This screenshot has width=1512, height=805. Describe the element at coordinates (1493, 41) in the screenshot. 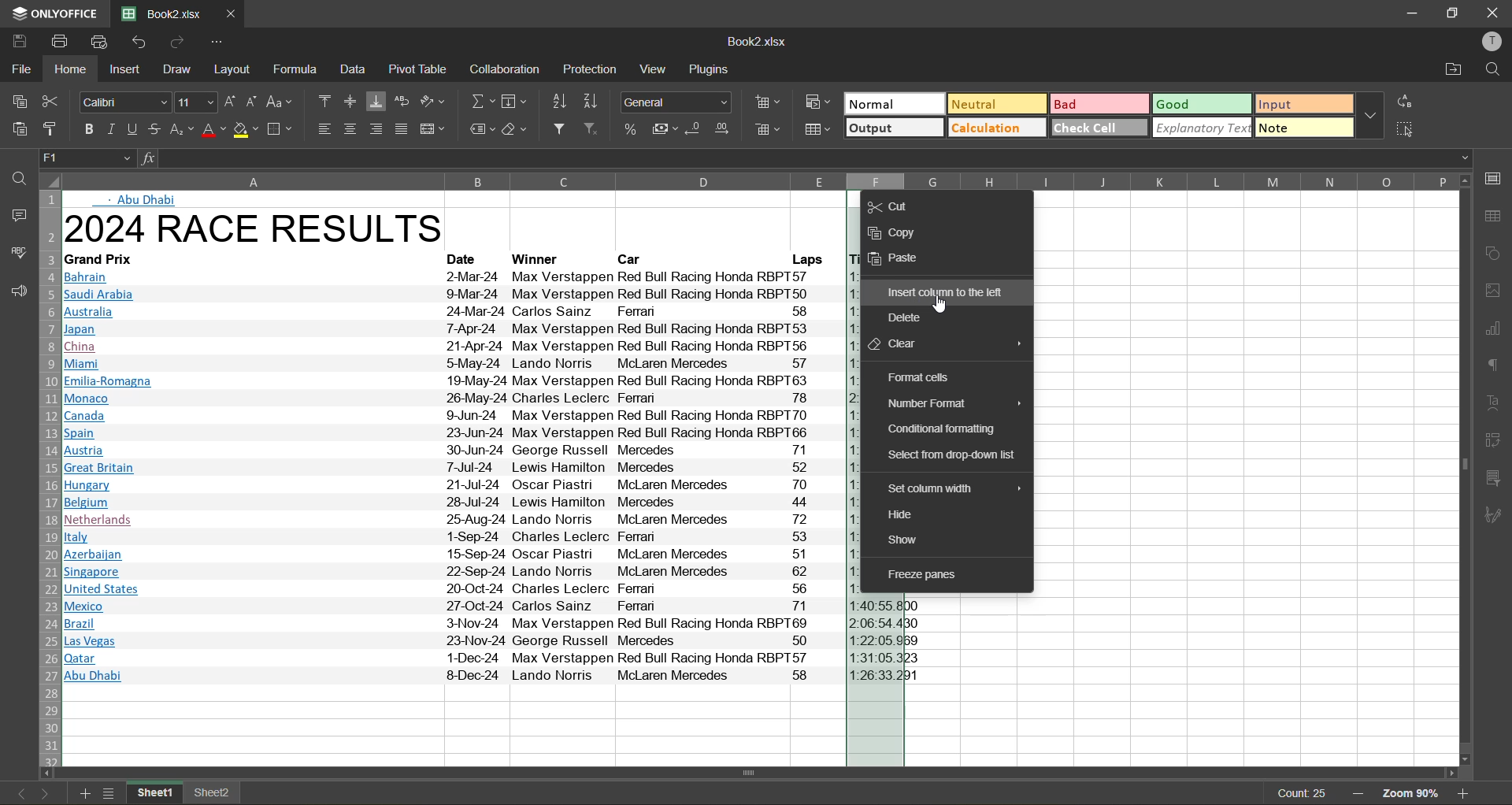

I see `profile` at that location.